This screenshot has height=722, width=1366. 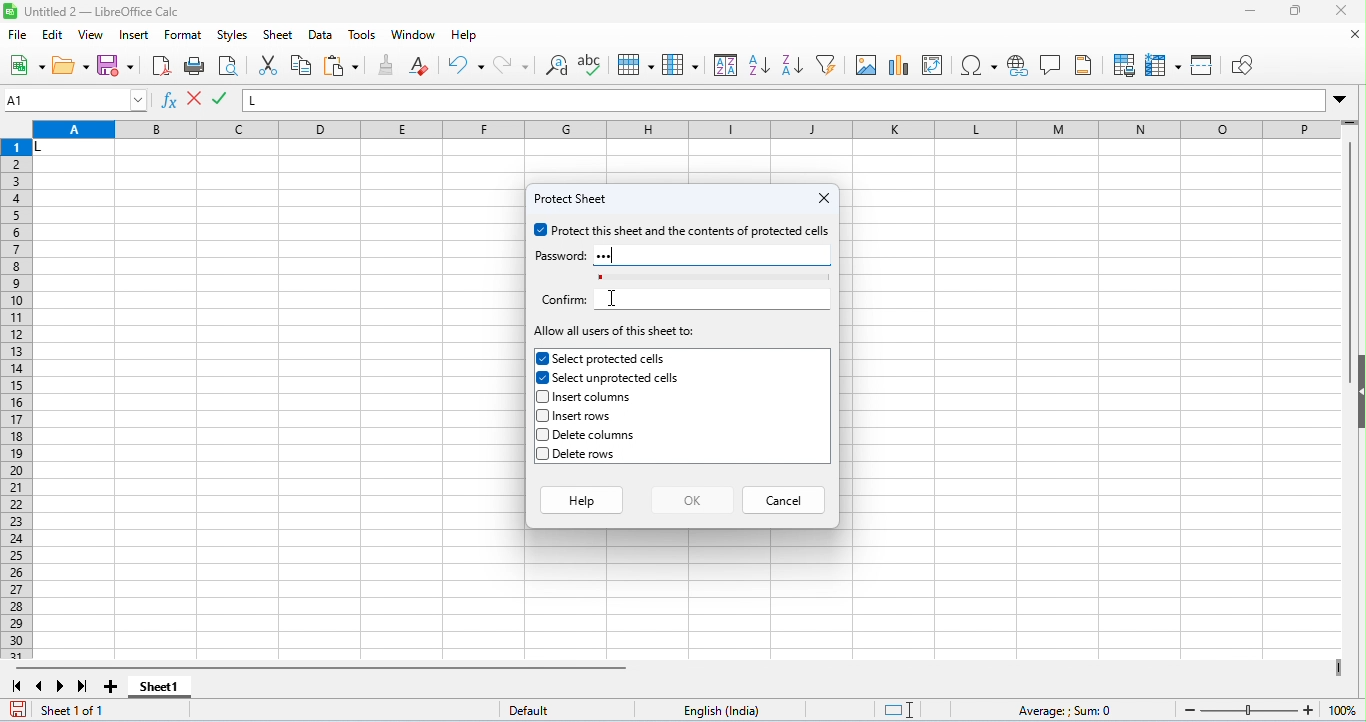 I want to click on window, so click(x=412, y=35).